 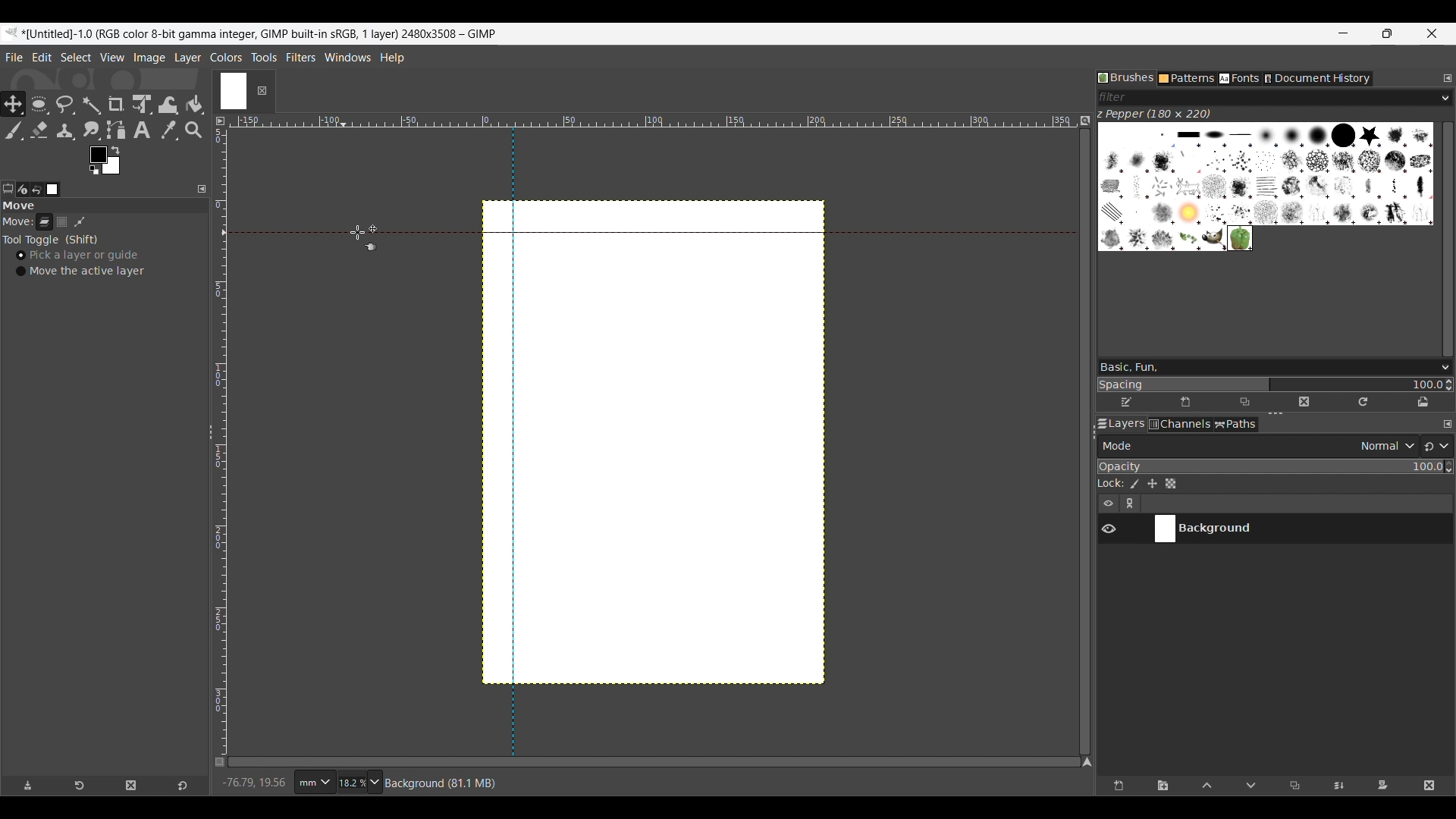 I want to click on Device status, so click(x=22, y=190).